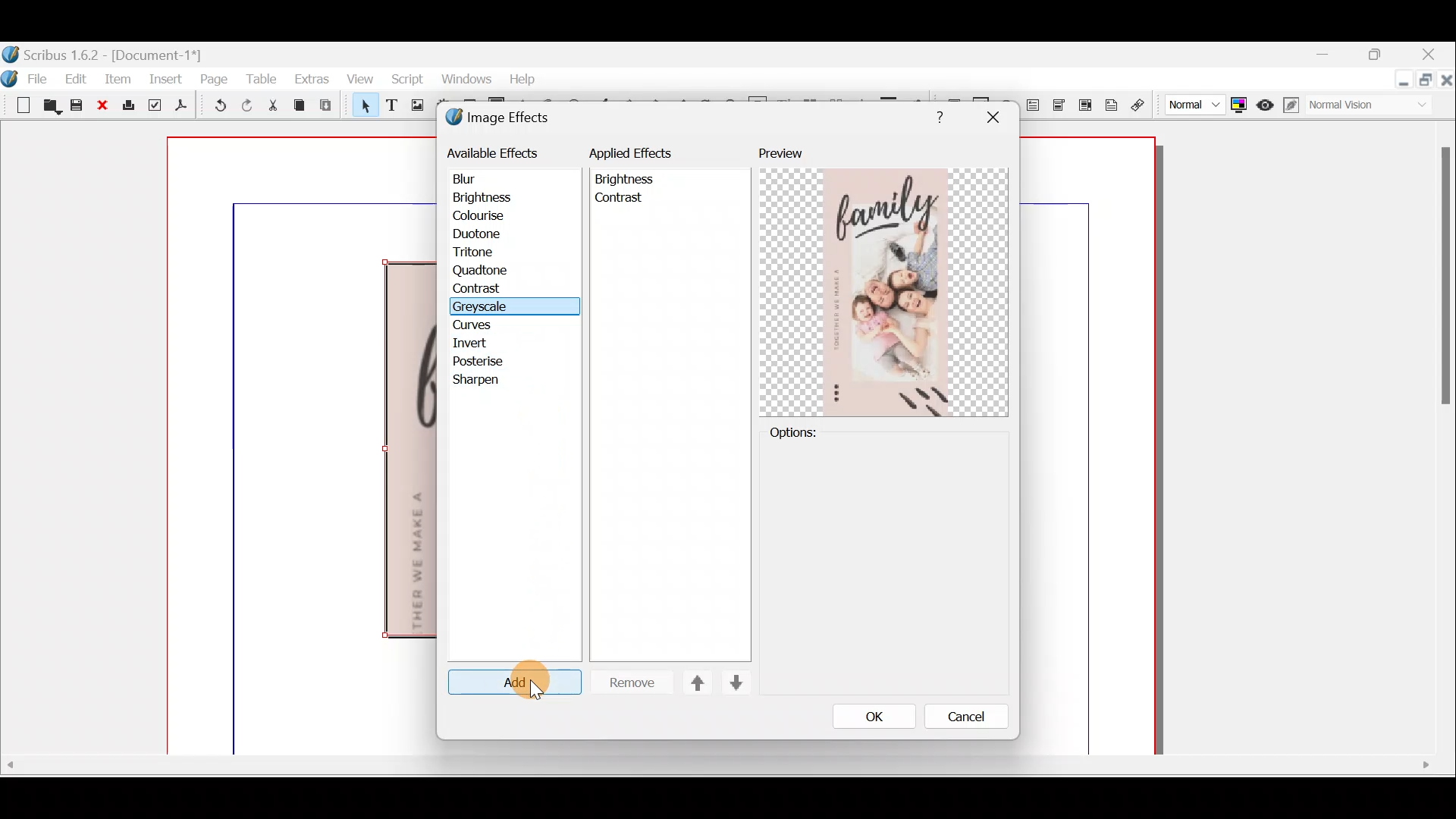 The width and height of the screenshot is (1456, 819). I want to click on greyscale, so click(485, 307).